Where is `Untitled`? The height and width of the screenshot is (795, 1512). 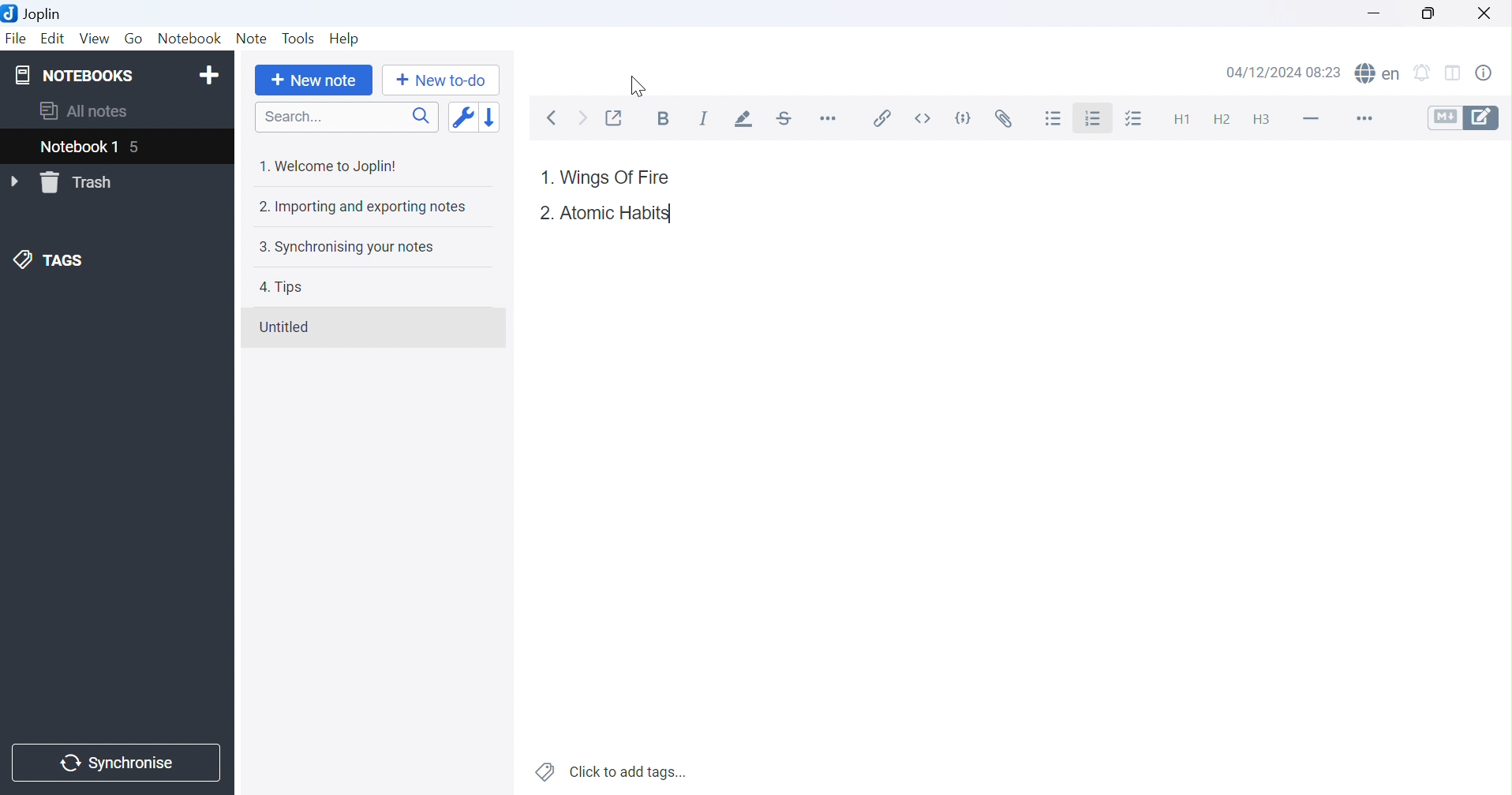 Untitled is located at coordinates (283, 327).